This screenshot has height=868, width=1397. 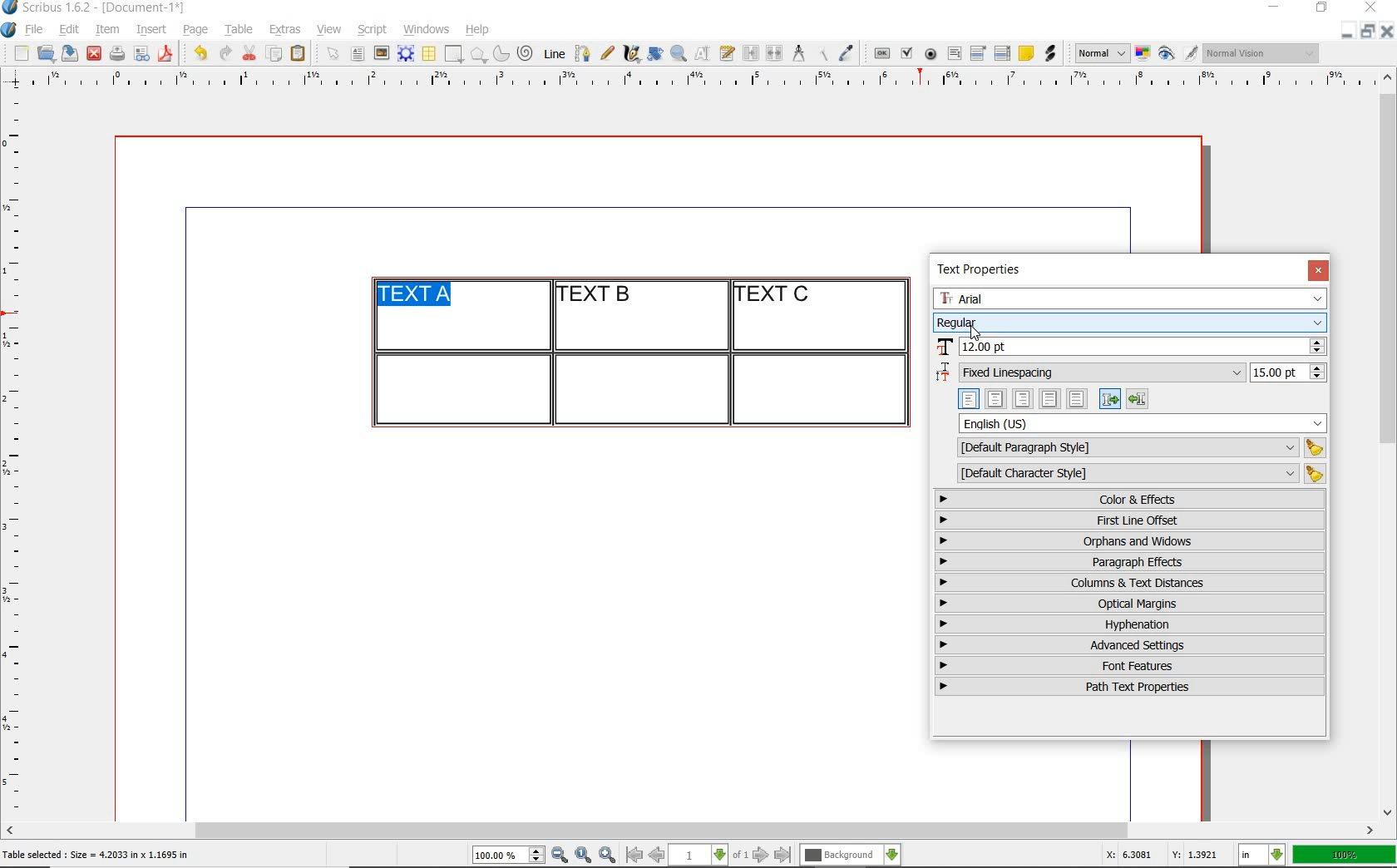 I want to click on system logo, so click(x=10, y=30).